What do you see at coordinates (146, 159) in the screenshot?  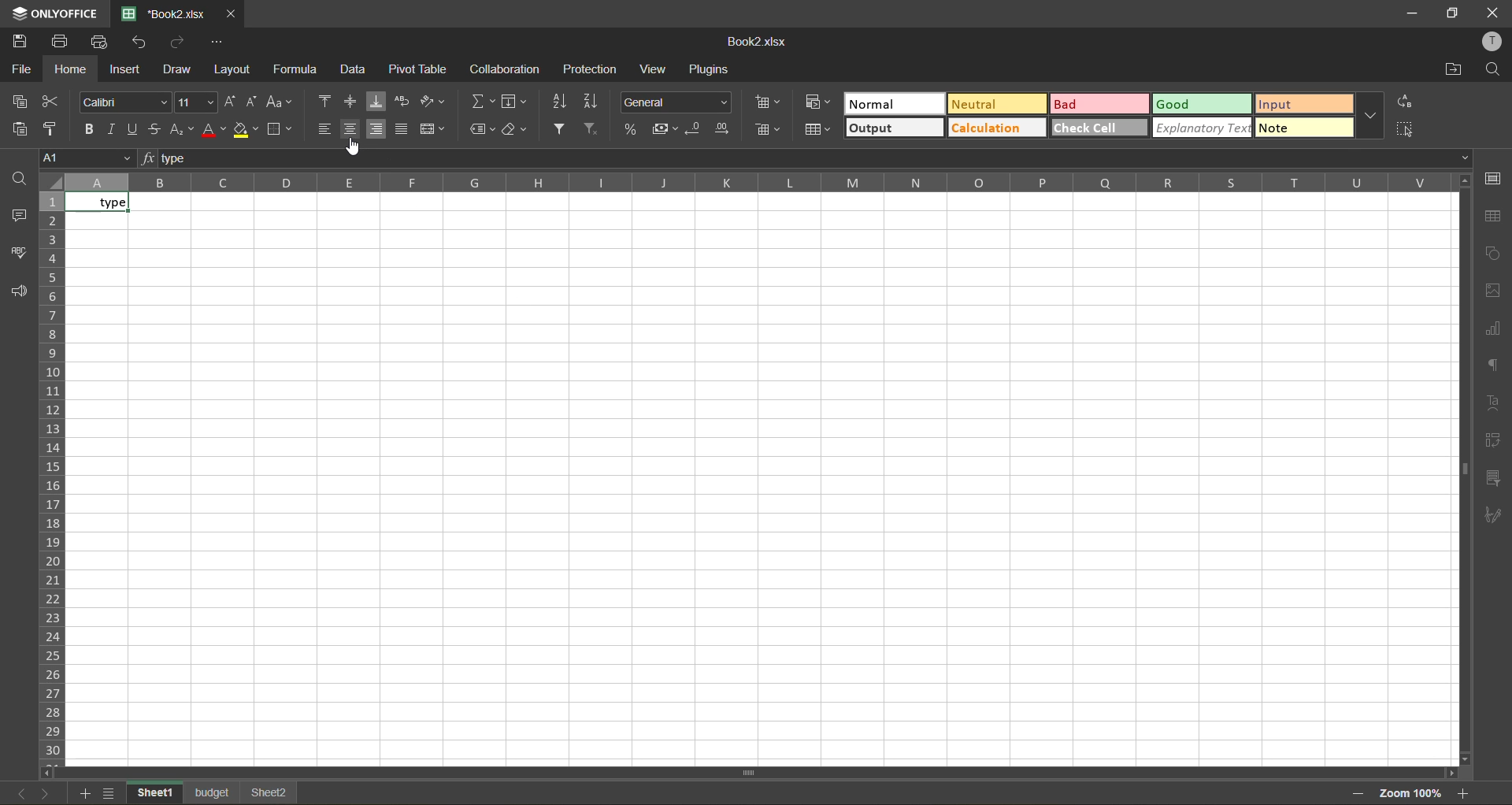 I see `fx` at bounding box center [146, 159].